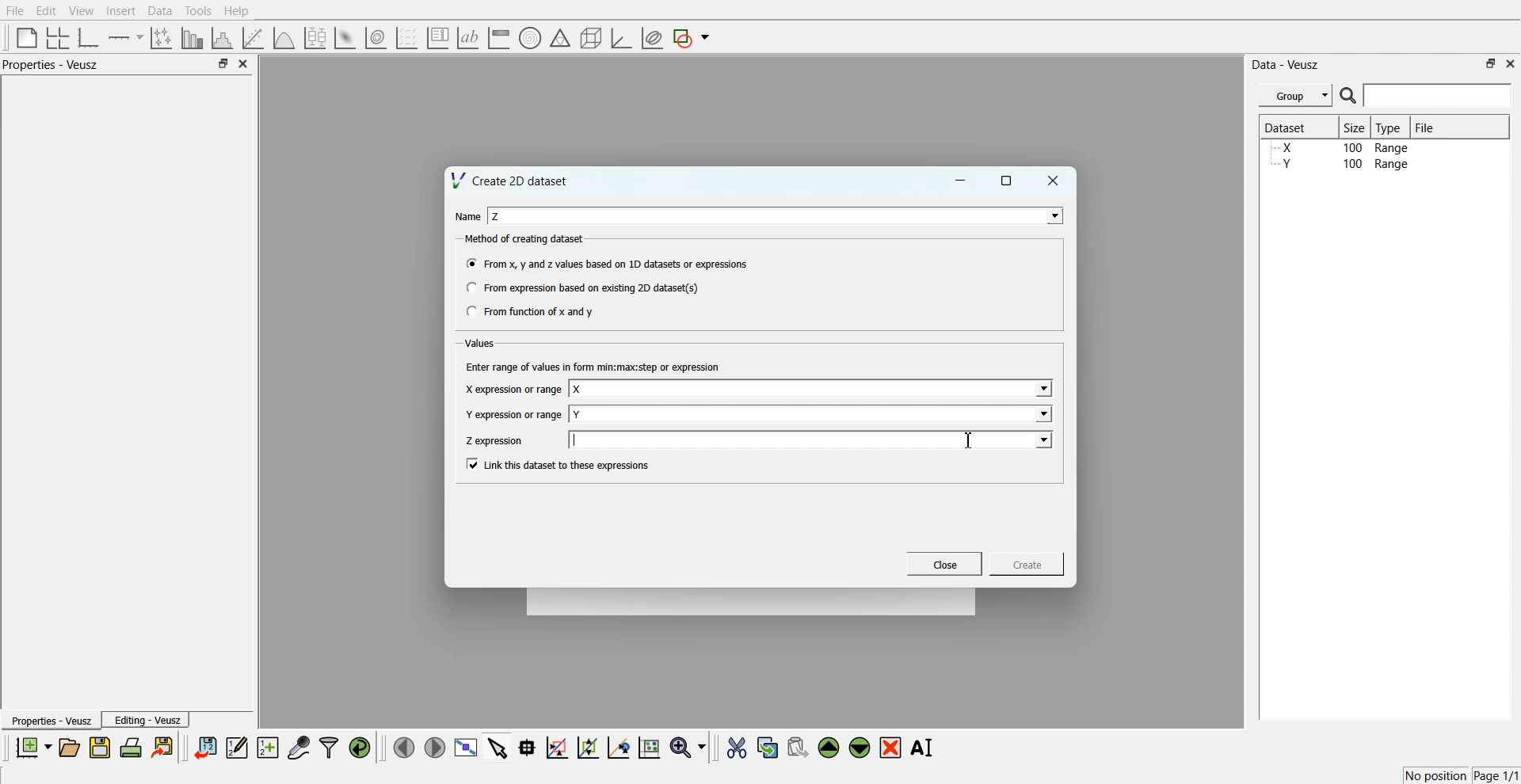 The width and height of the screenshot is (1521, 784). I want to click on Click to reset graph axes, so click(649, 746).